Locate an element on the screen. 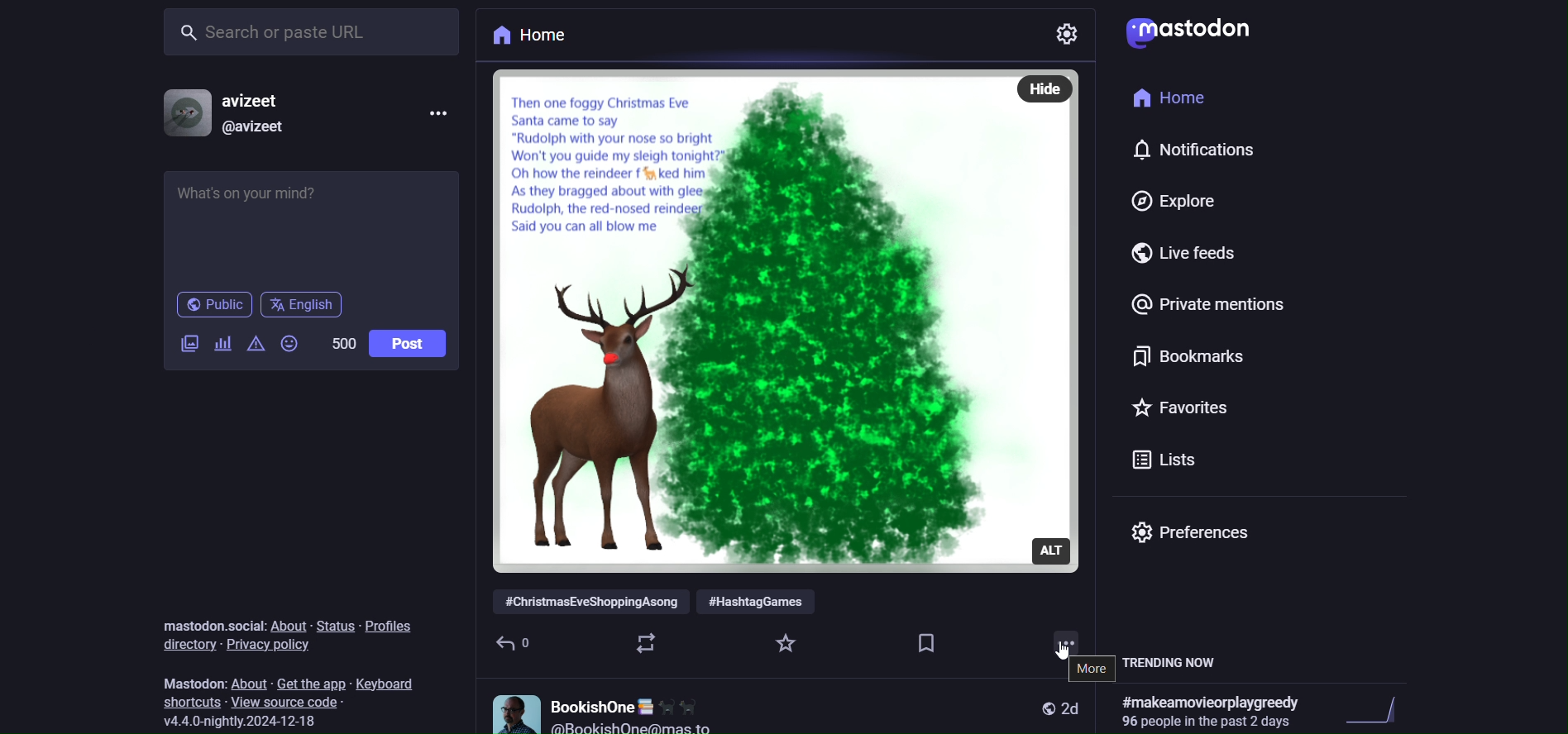  @BookishOQne@mas to is located at coordinates (635, 727).